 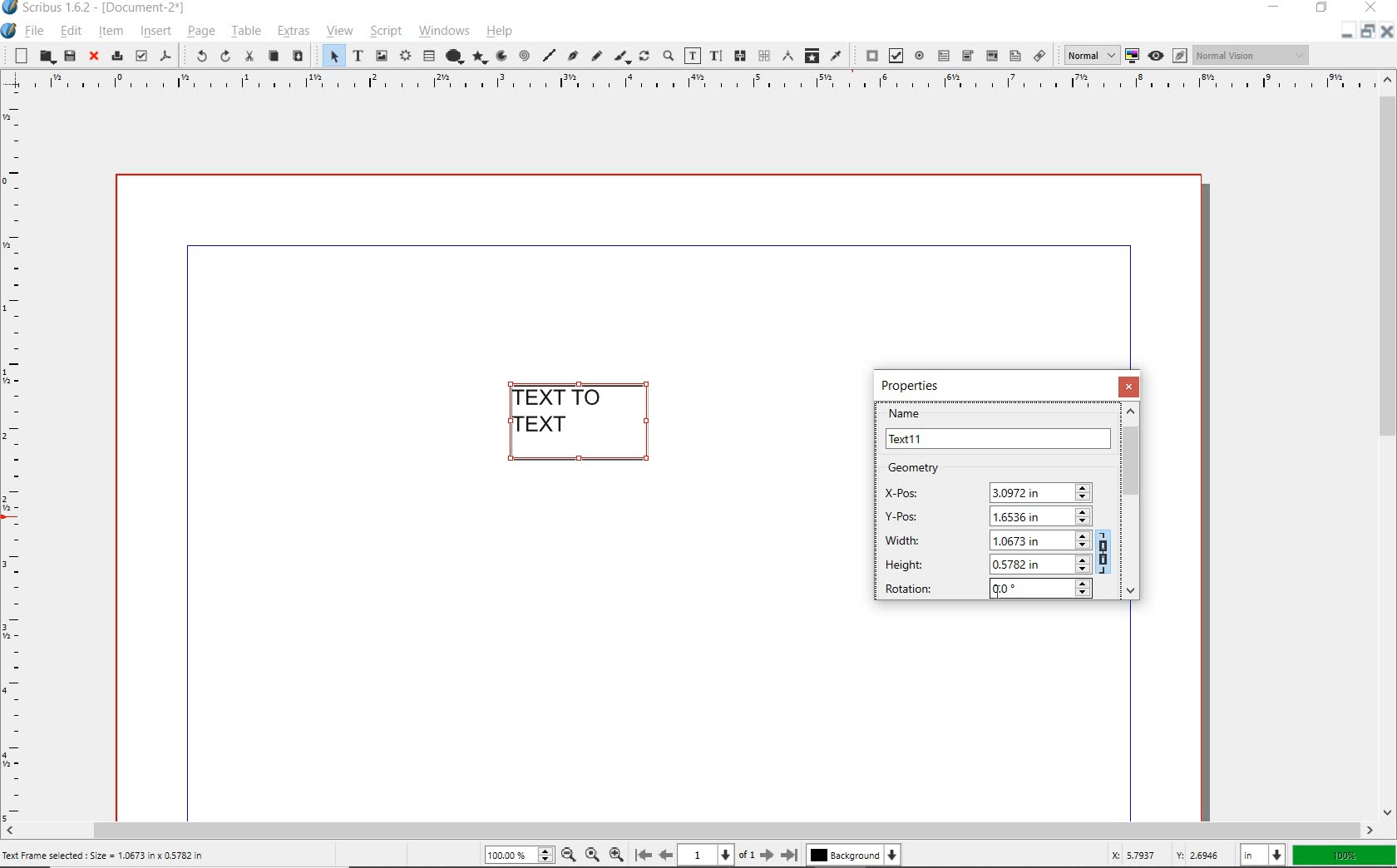 What do you see at coordinates (69, 57) in the screenshot?
I see `save` at bounding box center [69, 57].